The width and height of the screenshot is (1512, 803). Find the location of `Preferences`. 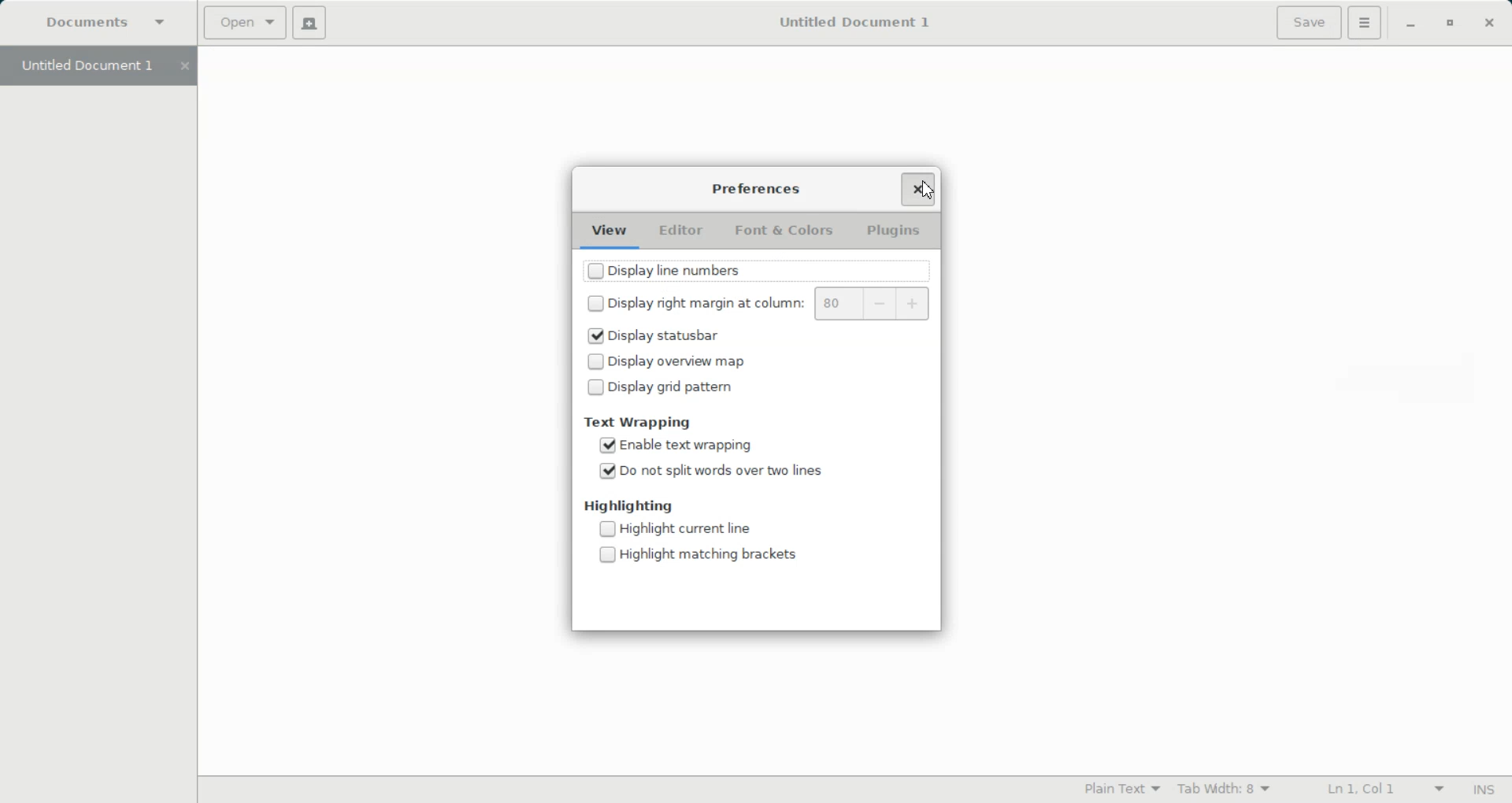

Preferences is located at coordinates (757, 189).